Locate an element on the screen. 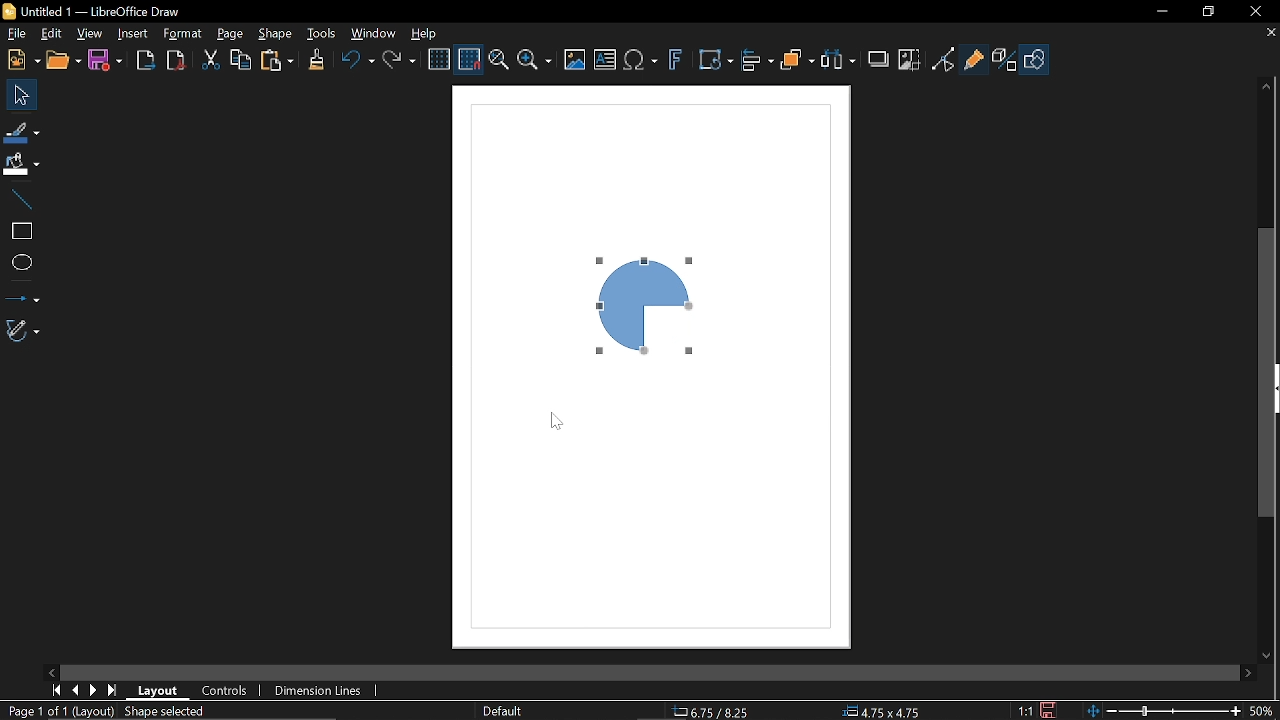 The width and height of the screenshot is (1280, 720). Shapes is located at coordinates (1036, 60).